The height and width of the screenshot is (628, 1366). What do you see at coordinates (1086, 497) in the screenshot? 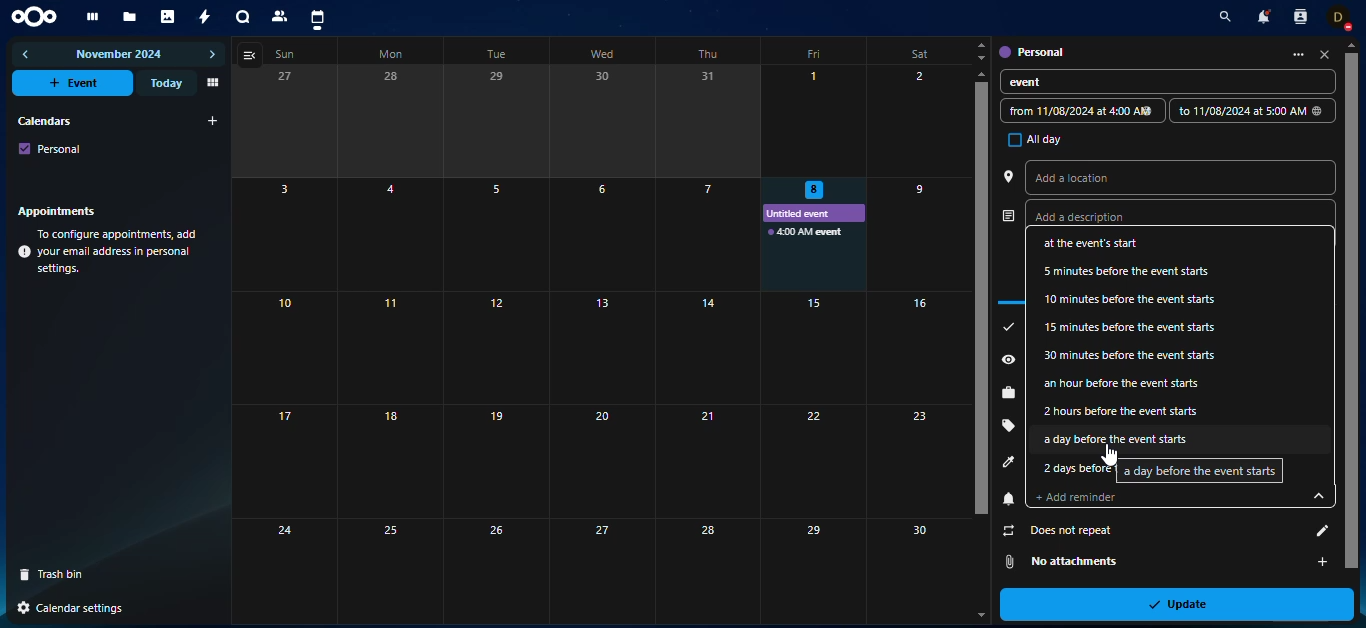
I see `add reminder` at bounding box center [1086, 497].